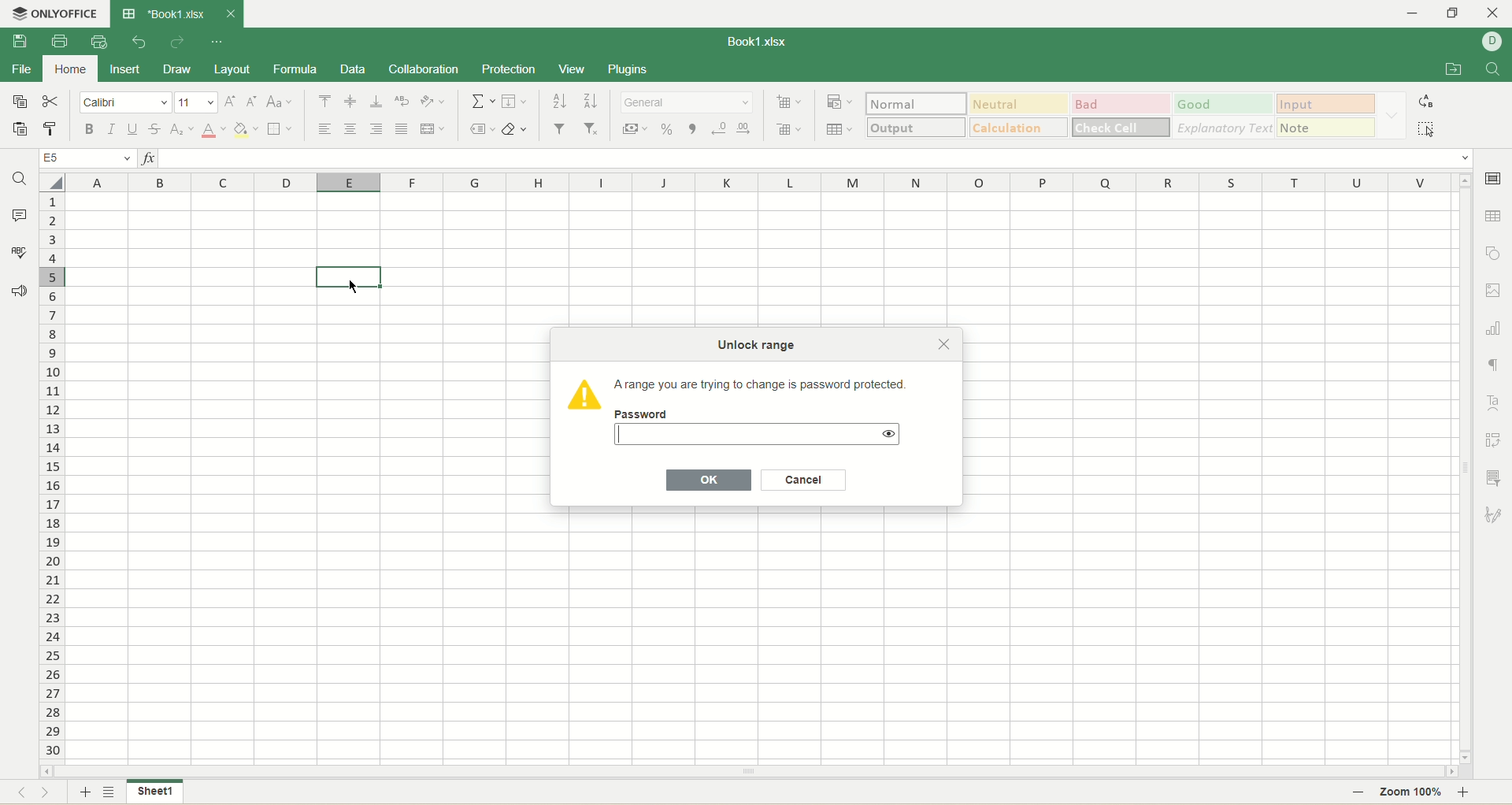 The height and width of the screenshot is (805, 1512). Describe the element at coordinates (280, 132) in the screenshot. I see `border` at that location.